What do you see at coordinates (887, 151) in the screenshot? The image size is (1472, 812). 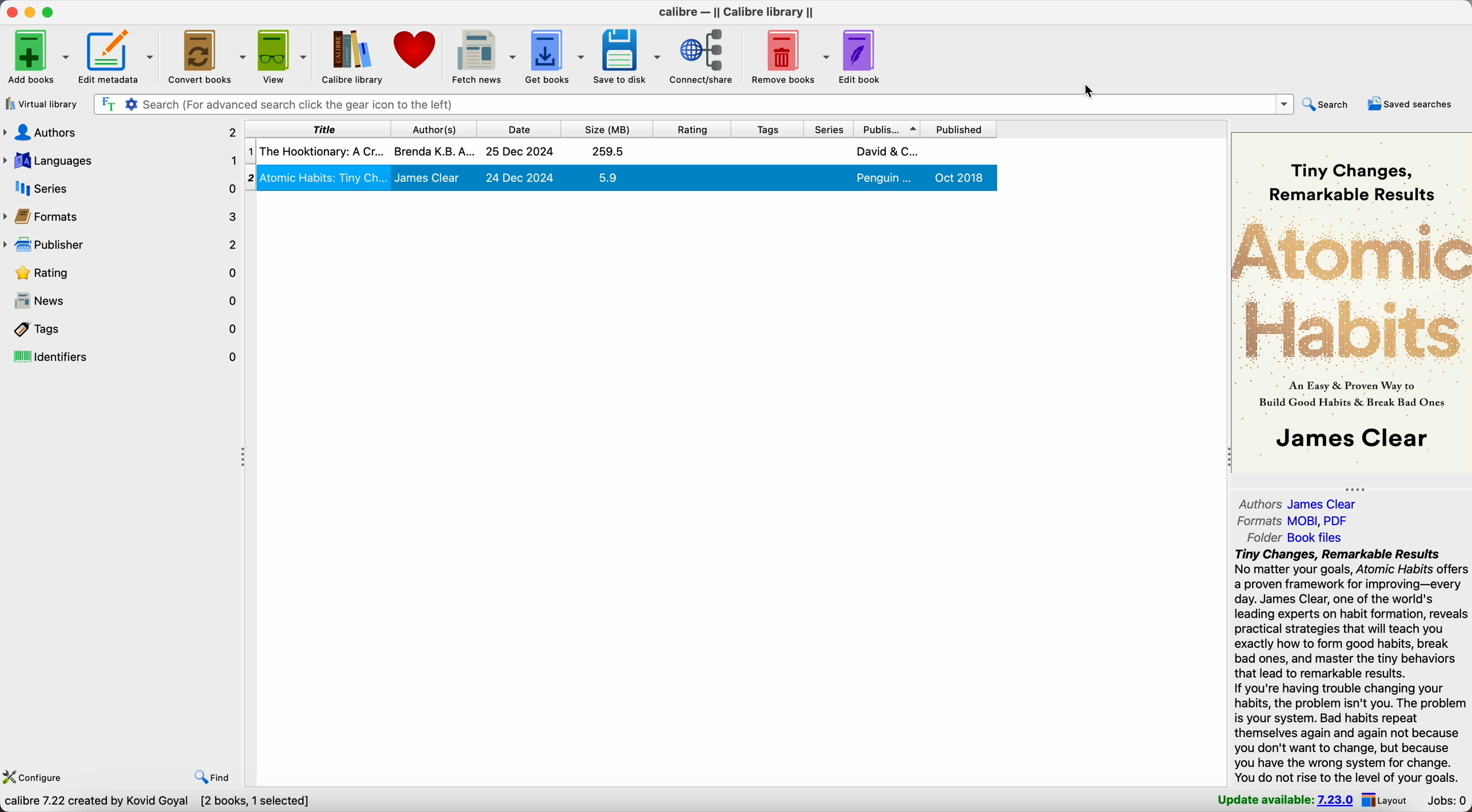 I see `David & C` at bounding box center [887, 151].